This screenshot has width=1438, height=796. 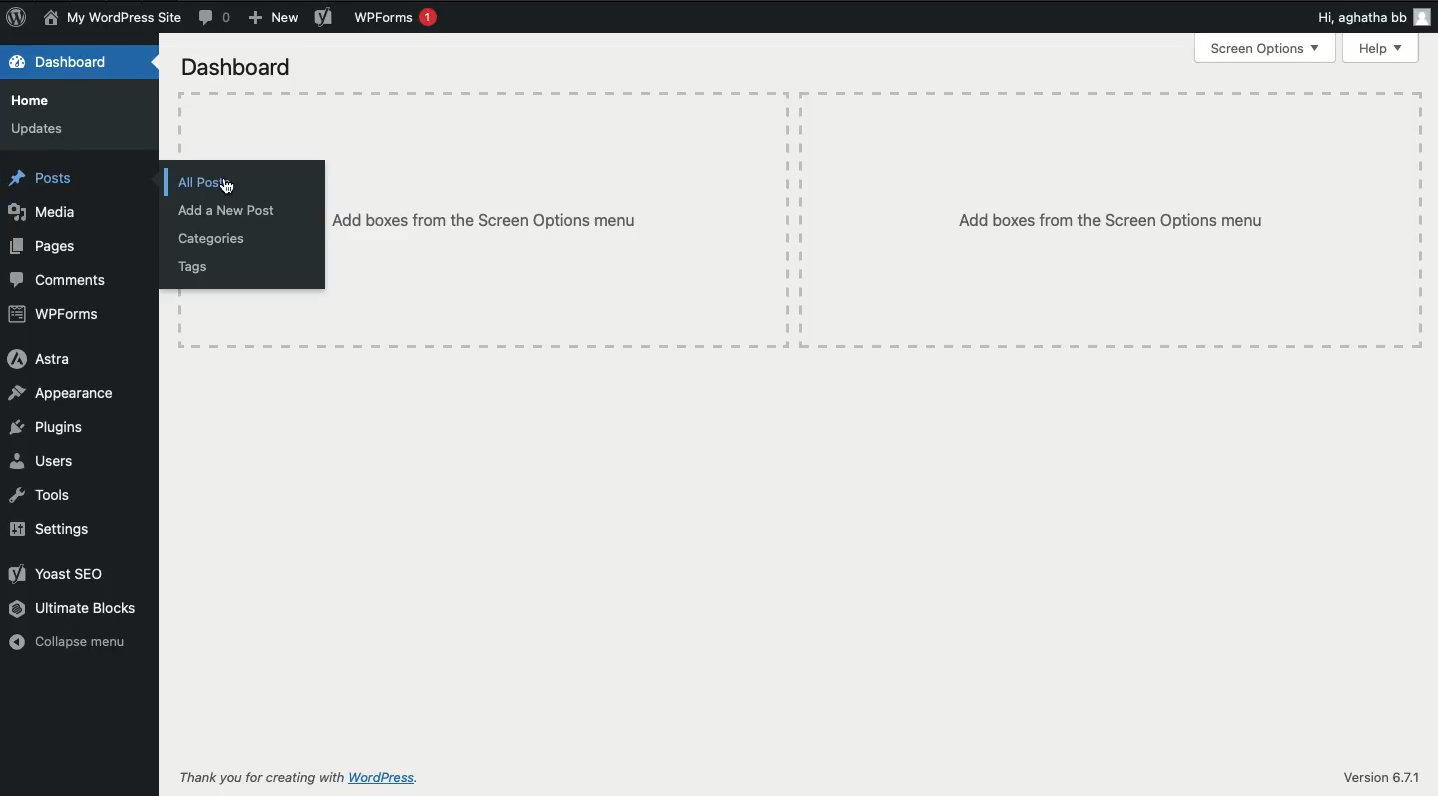 What do you see at coordinates (217, 16) in the screenshot?
I see `Comments` at bounding box center [217, 16].